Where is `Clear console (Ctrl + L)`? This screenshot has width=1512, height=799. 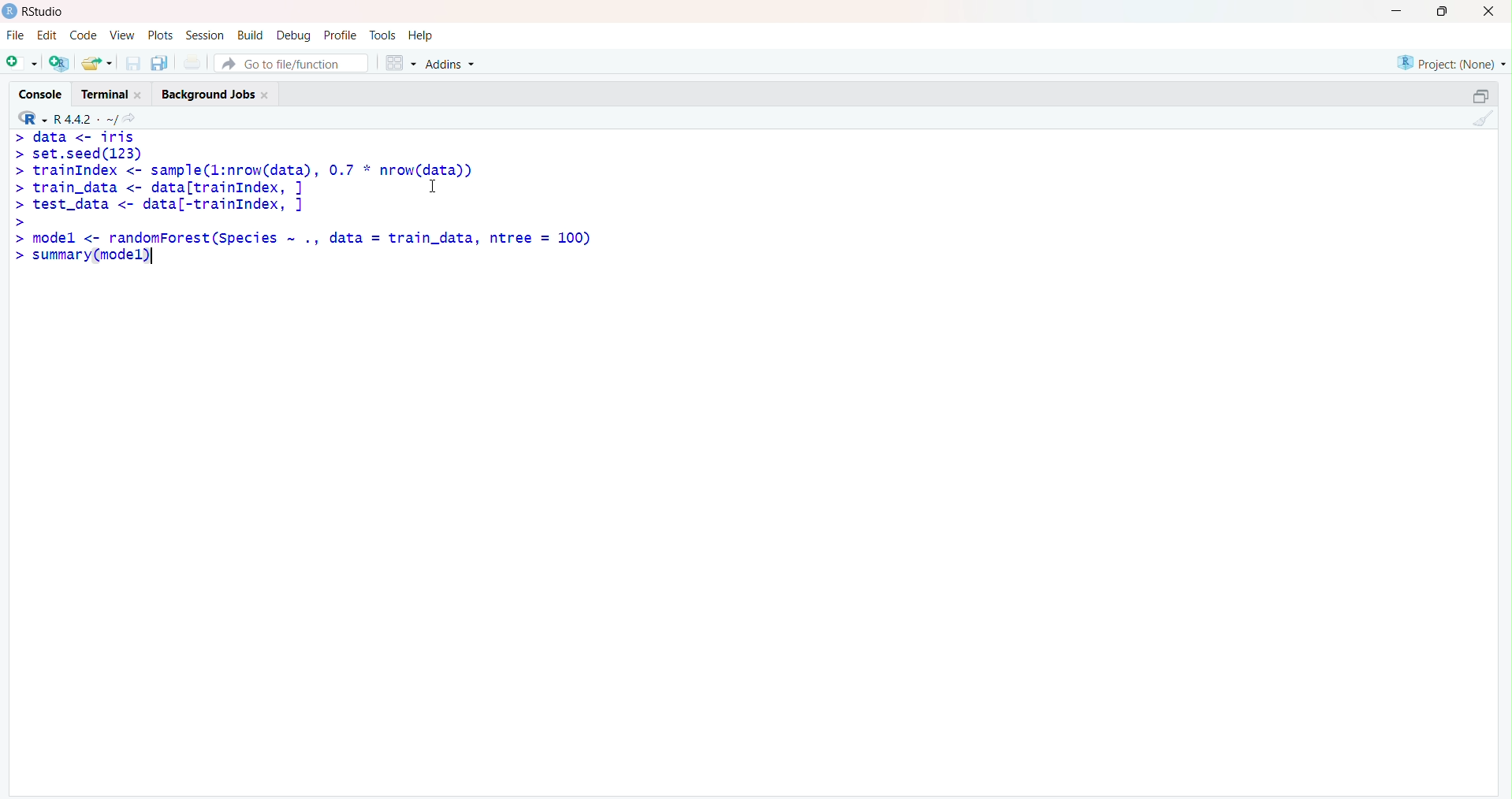 Clear console (Ctrl + L) is located at coordinates (1481, 120).